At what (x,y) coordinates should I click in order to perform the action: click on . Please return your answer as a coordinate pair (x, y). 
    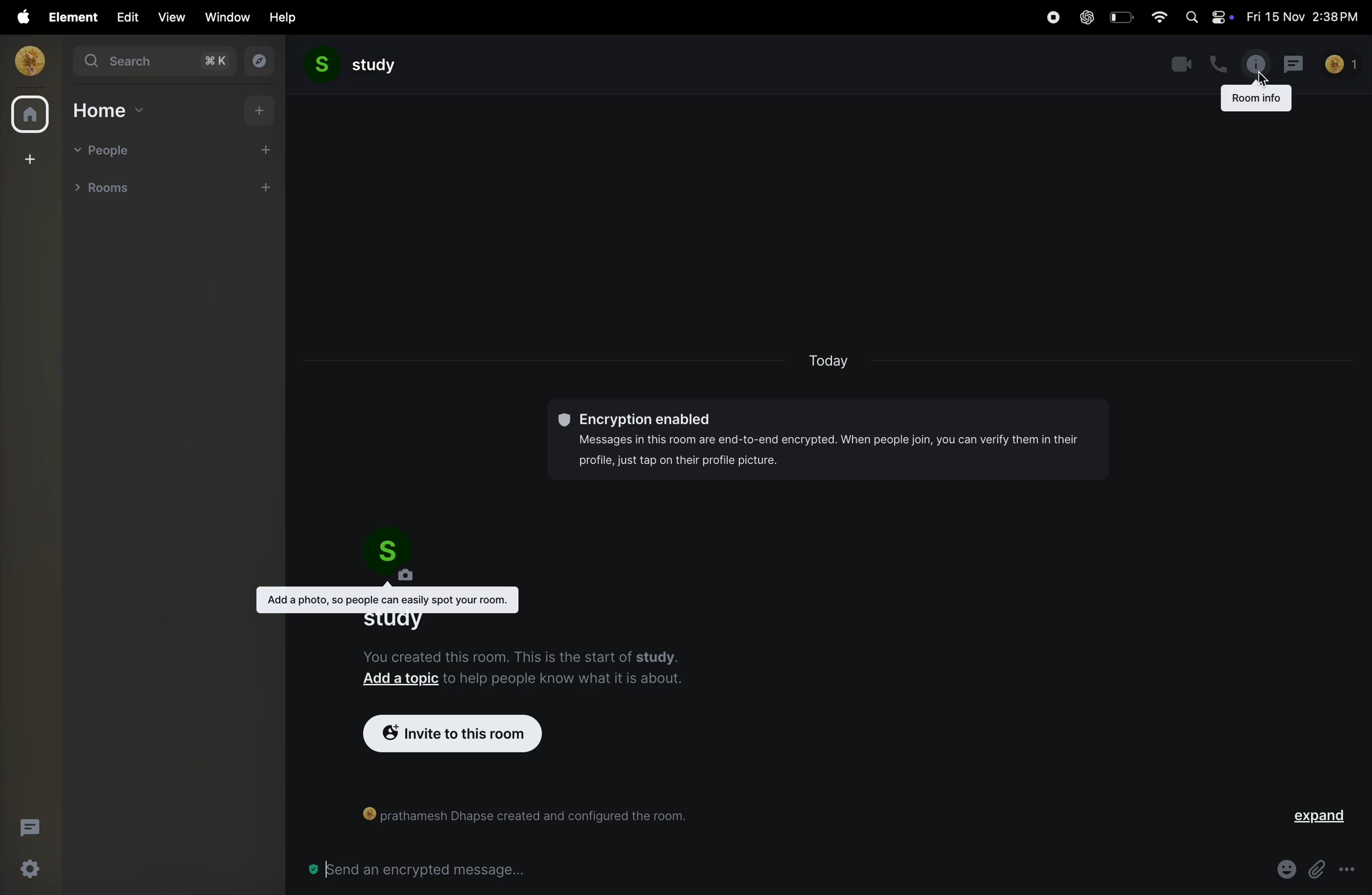
    Looking at the image, I should click on (1320, 870).